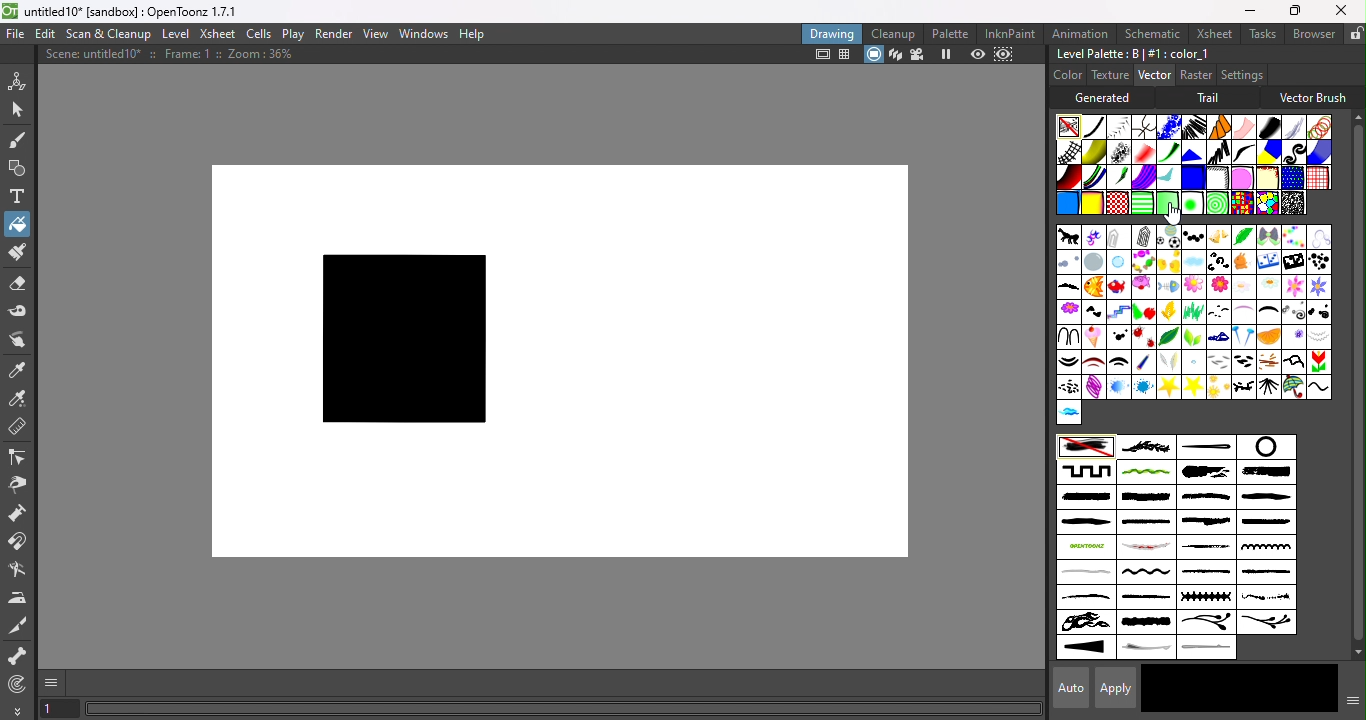 This screenshot has height=720, width=1366. Describe the element at coordinates (1081, 32) in the screenshot. I see `Animation` at that location.